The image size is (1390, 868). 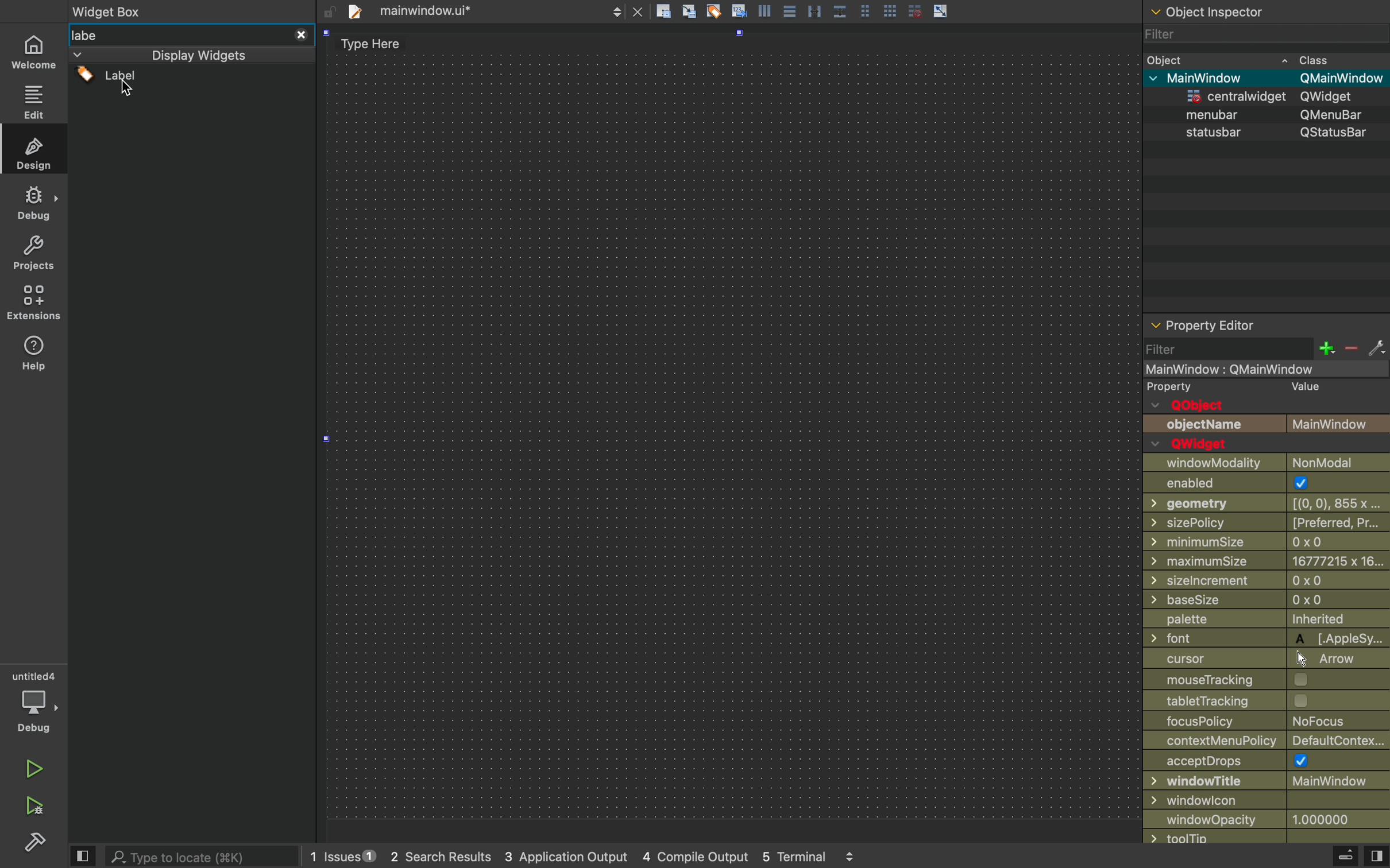 I want to click on property, so click(x=1171, y=387).